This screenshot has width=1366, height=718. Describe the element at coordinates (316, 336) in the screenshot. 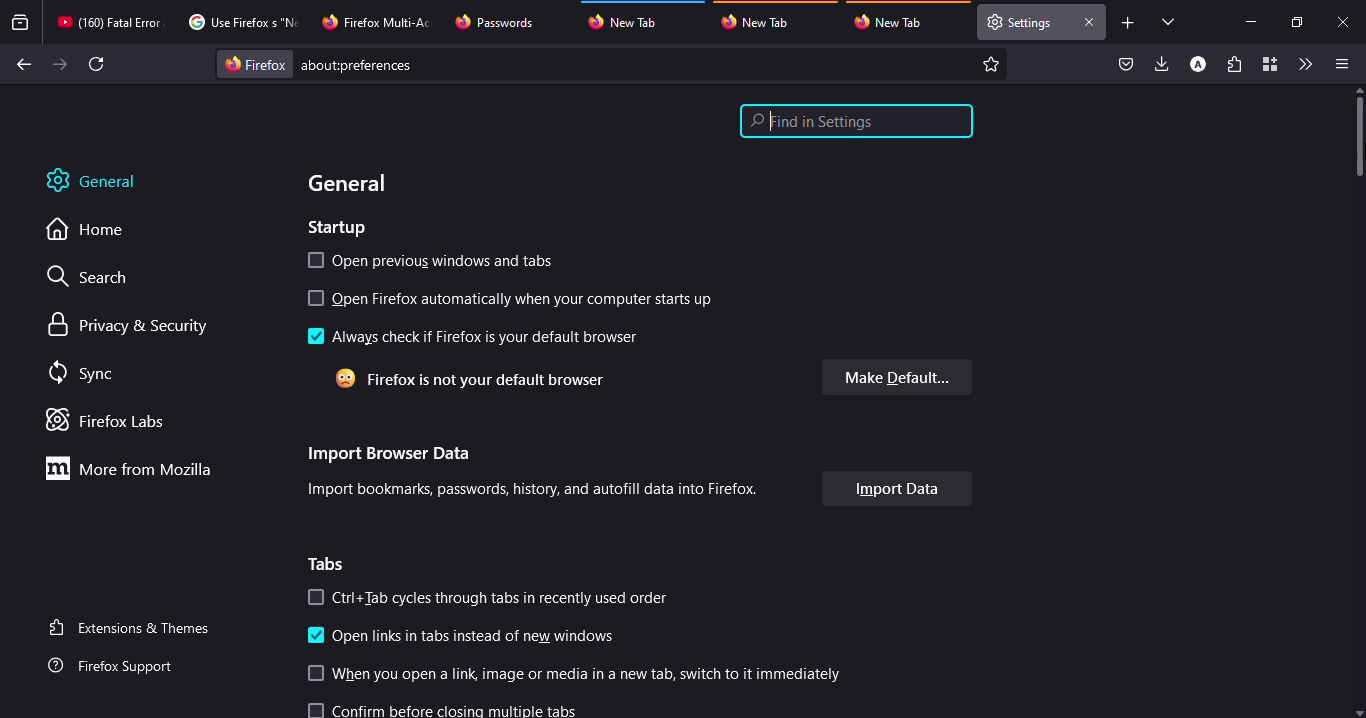

I see `selected` at that location.